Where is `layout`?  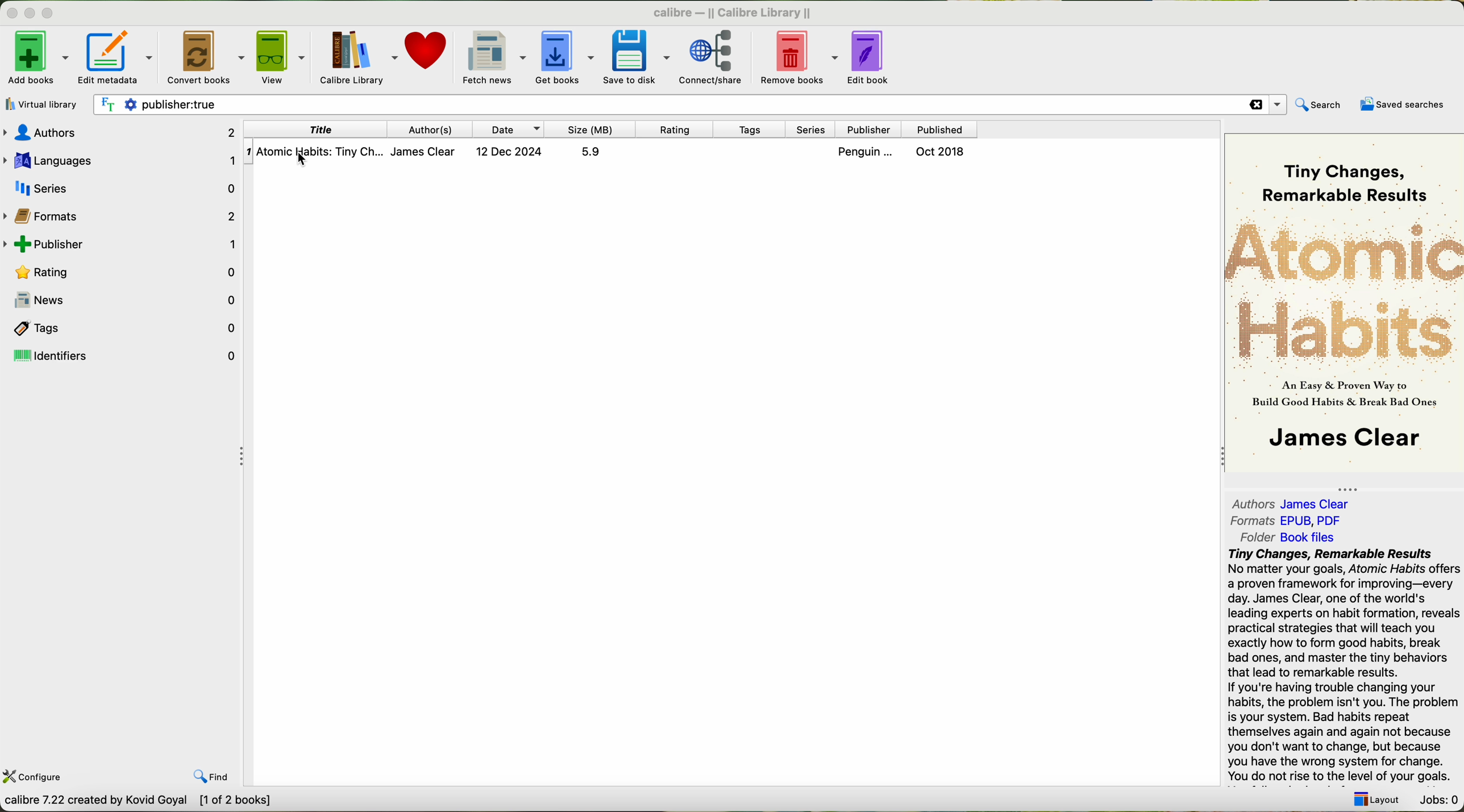
layout is located at coordinates (1373, 799).